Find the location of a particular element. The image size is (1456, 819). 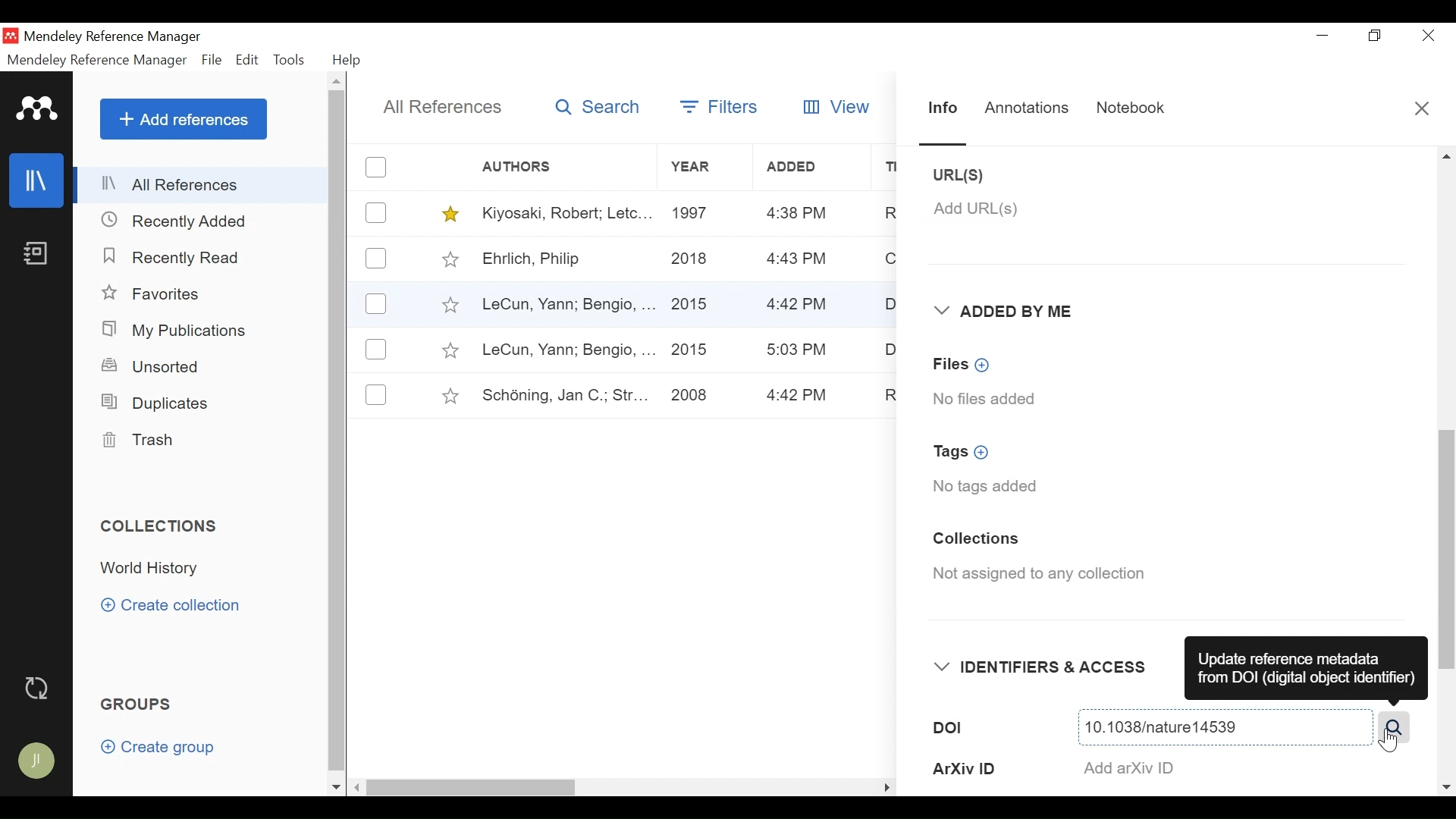

Add URL(S) is located at coordinates (976, 209).